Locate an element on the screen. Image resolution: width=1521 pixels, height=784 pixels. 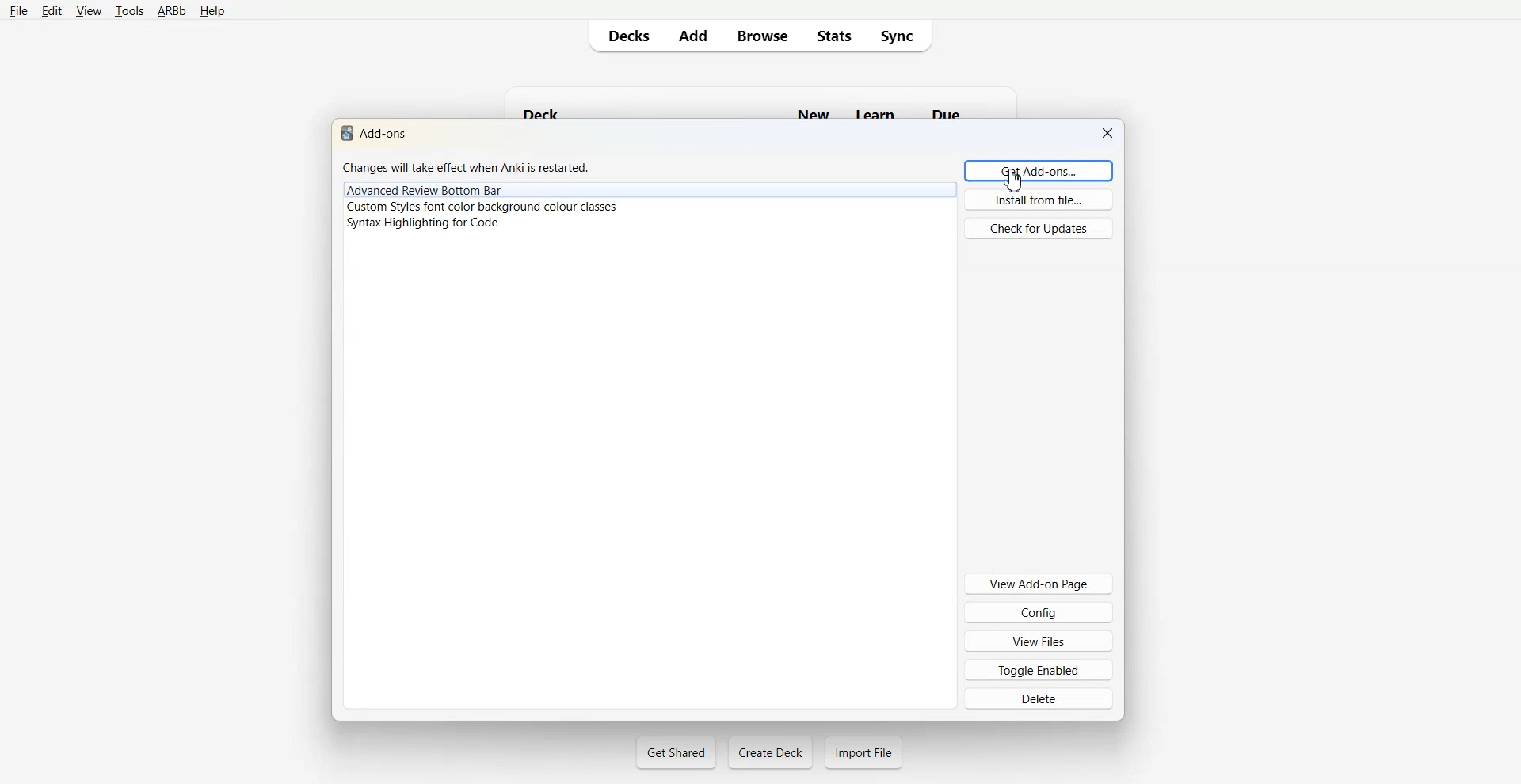
ARBb is located at coordinates (171, 10).